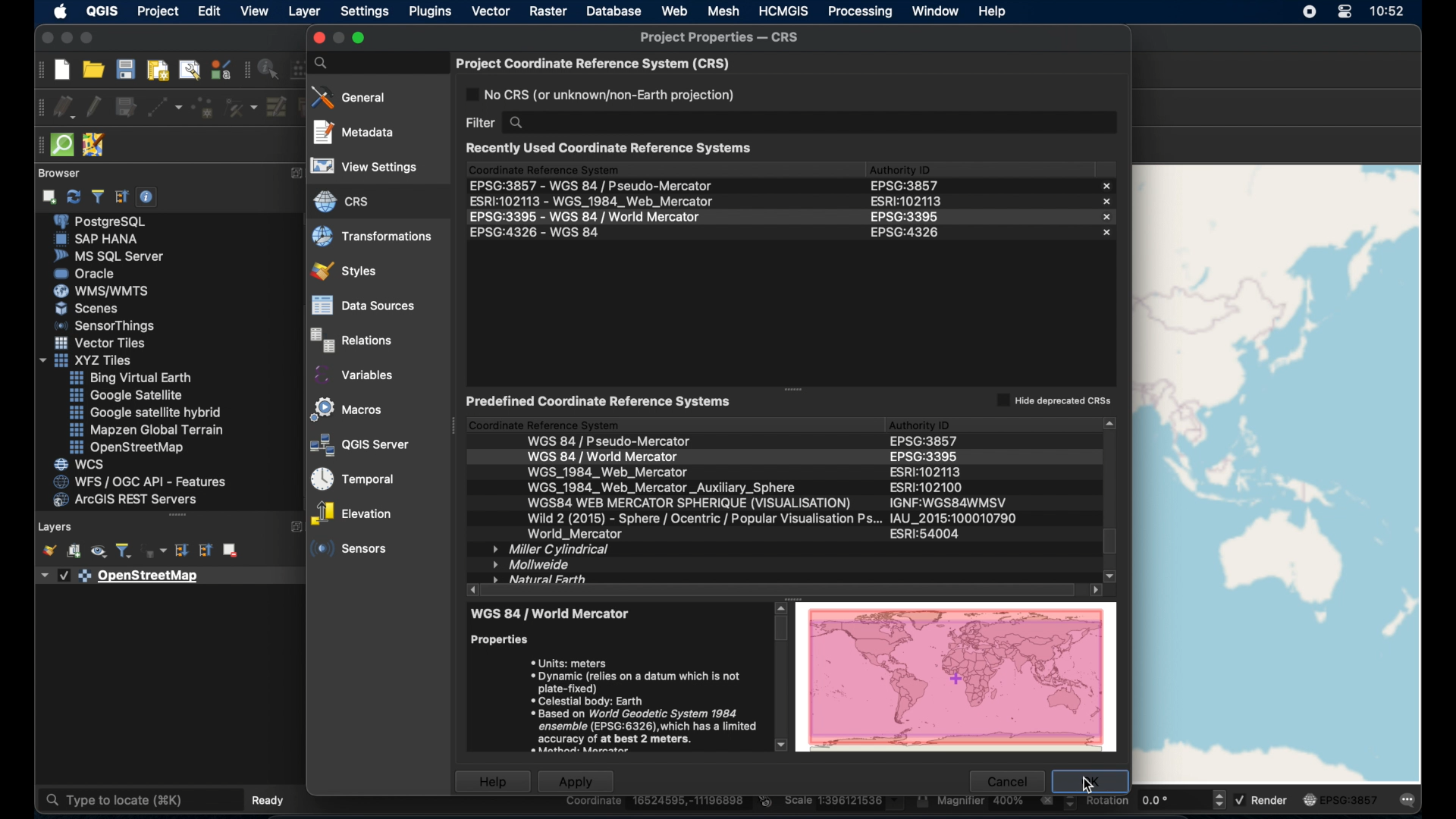  I want to click on scroll bae, so click(1112, 497).